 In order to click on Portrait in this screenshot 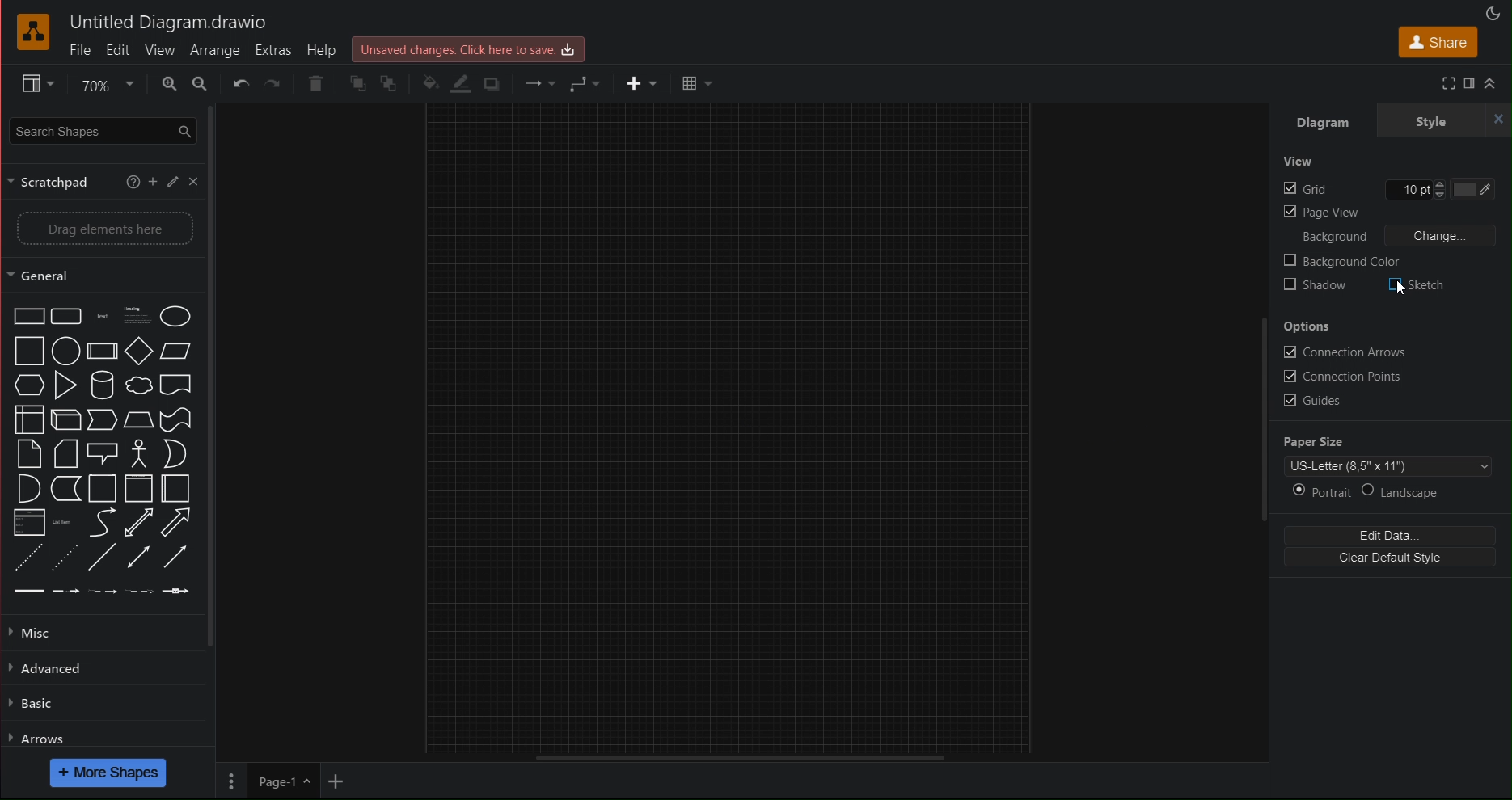, I will do `click(1316, 492)`.